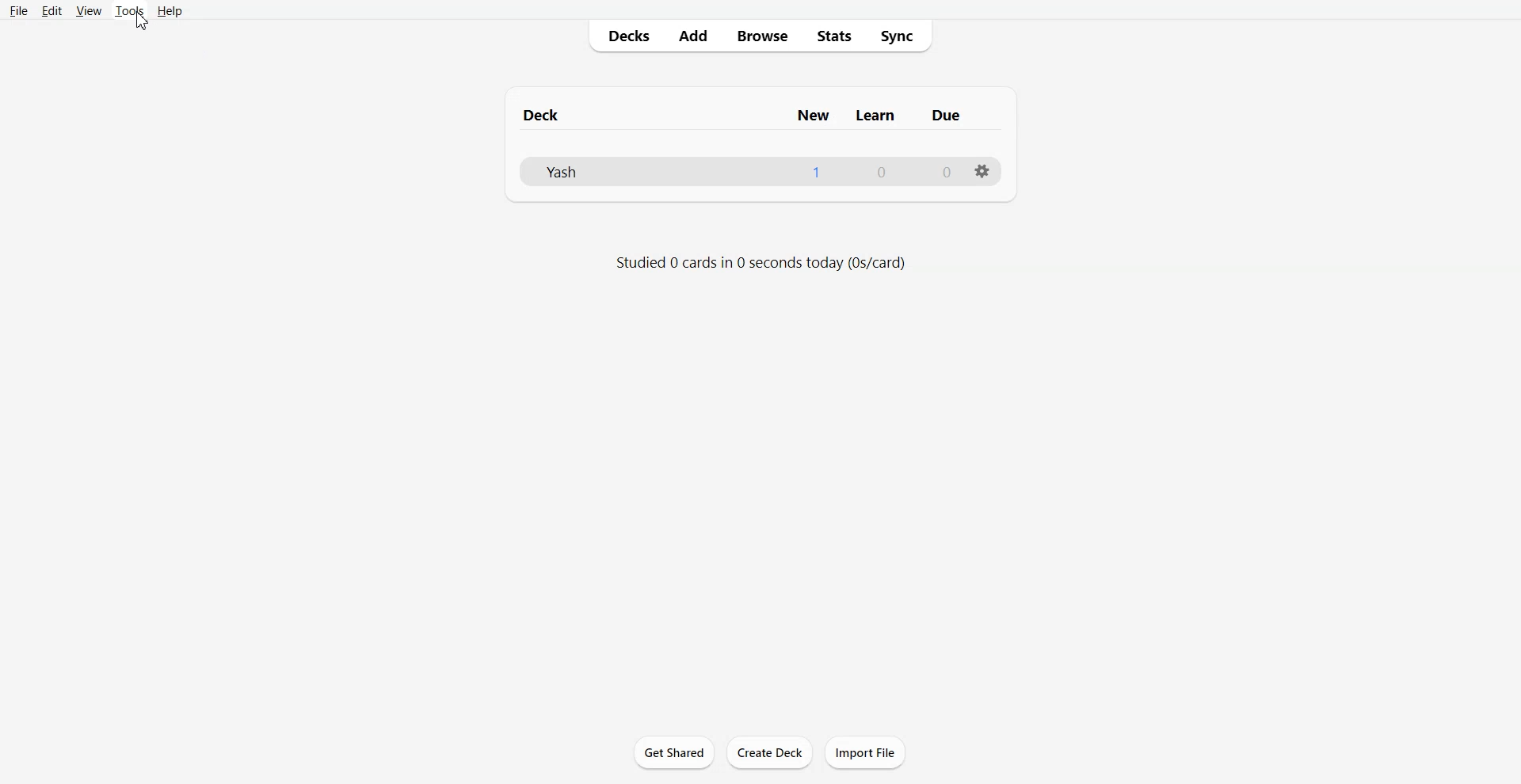 This screenshot has width=1521, height=784. Describe the element at coordinates (51, 10) in the screenshot. I see `Edit` at that location.